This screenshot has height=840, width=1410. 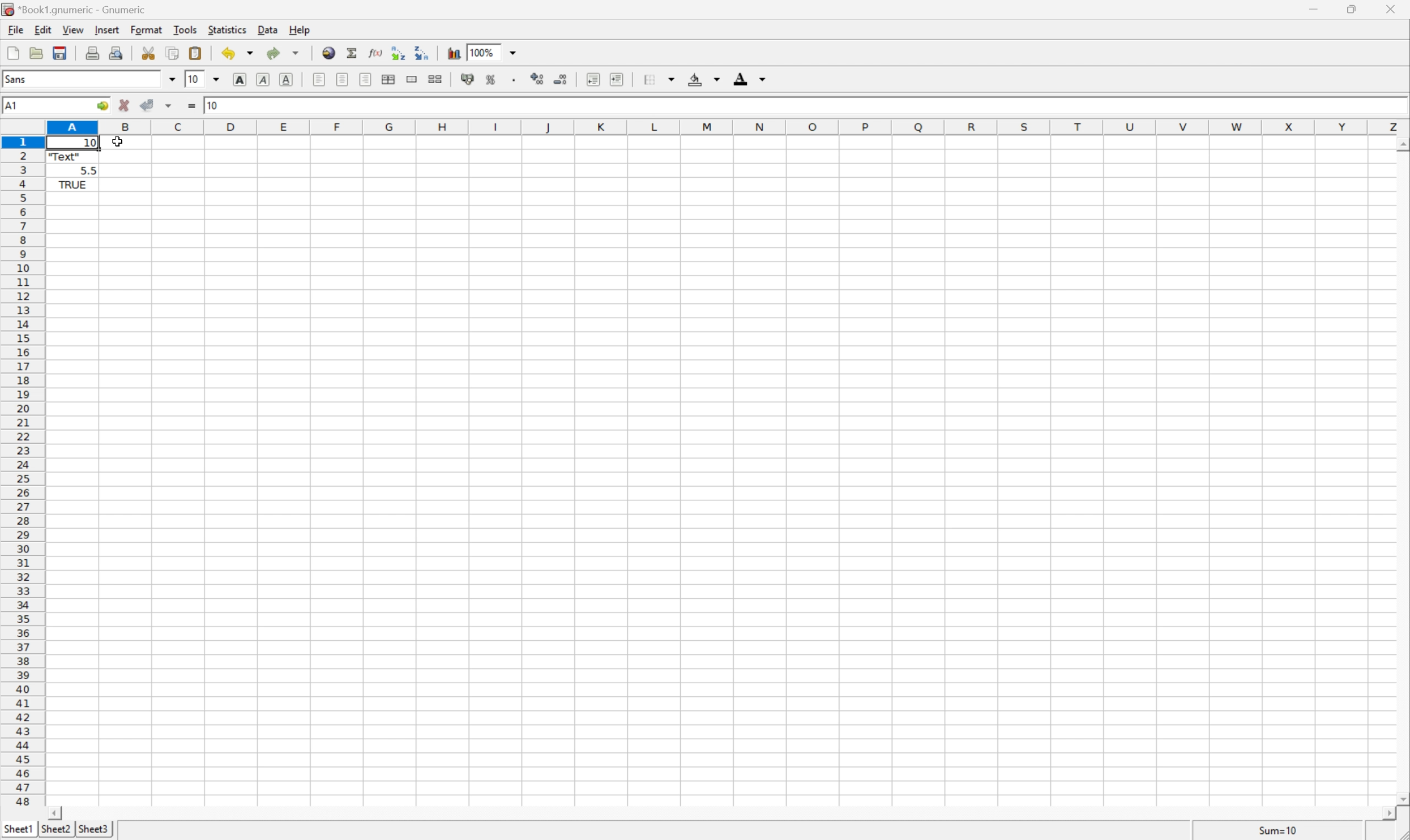 I want to click on Go to, so click(x=101, y=104).